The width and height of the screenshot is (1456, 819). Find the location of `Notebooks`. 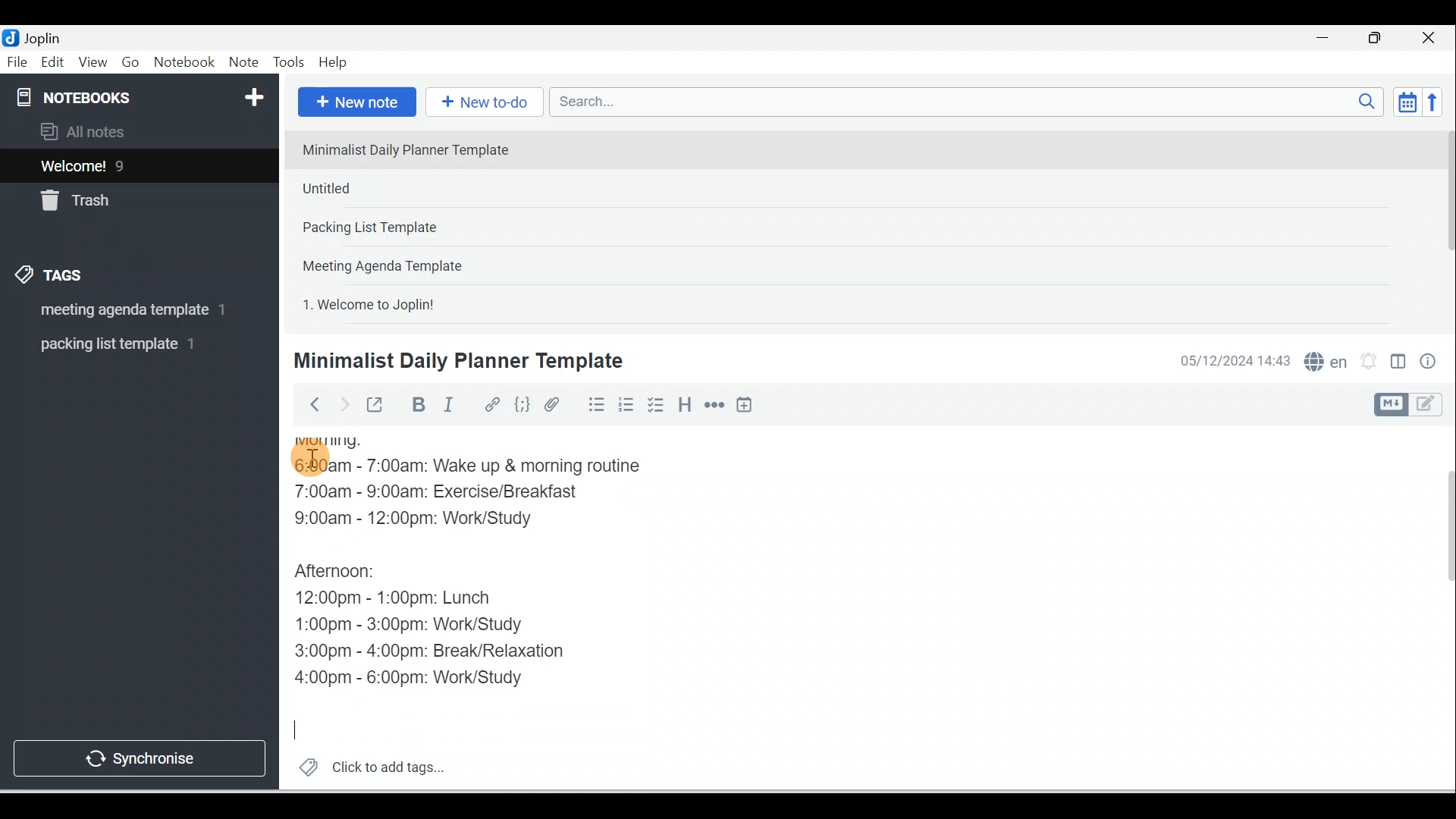

Notebooks is located at coordinates (143, 94).